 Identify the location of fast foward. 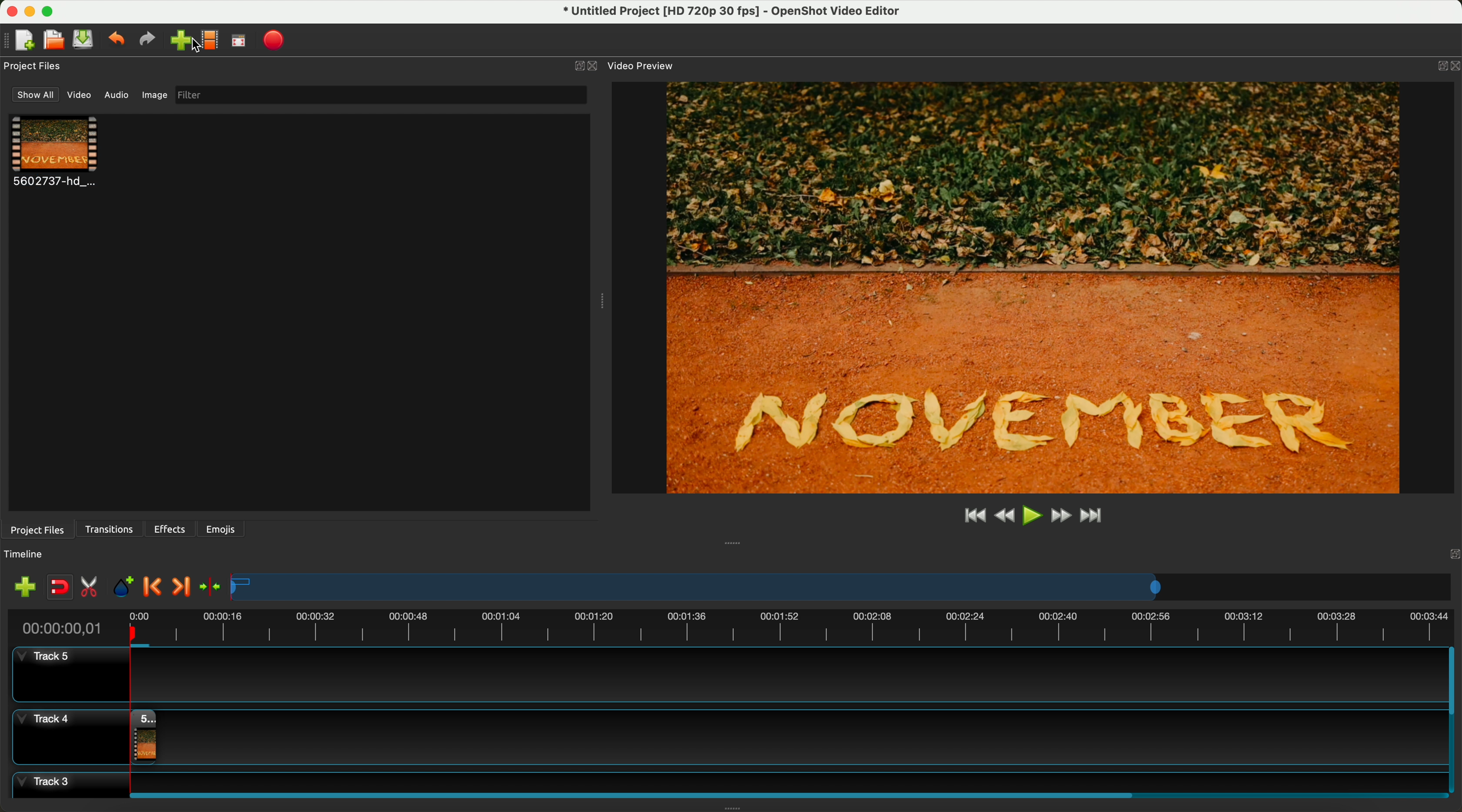
(1060, 517).